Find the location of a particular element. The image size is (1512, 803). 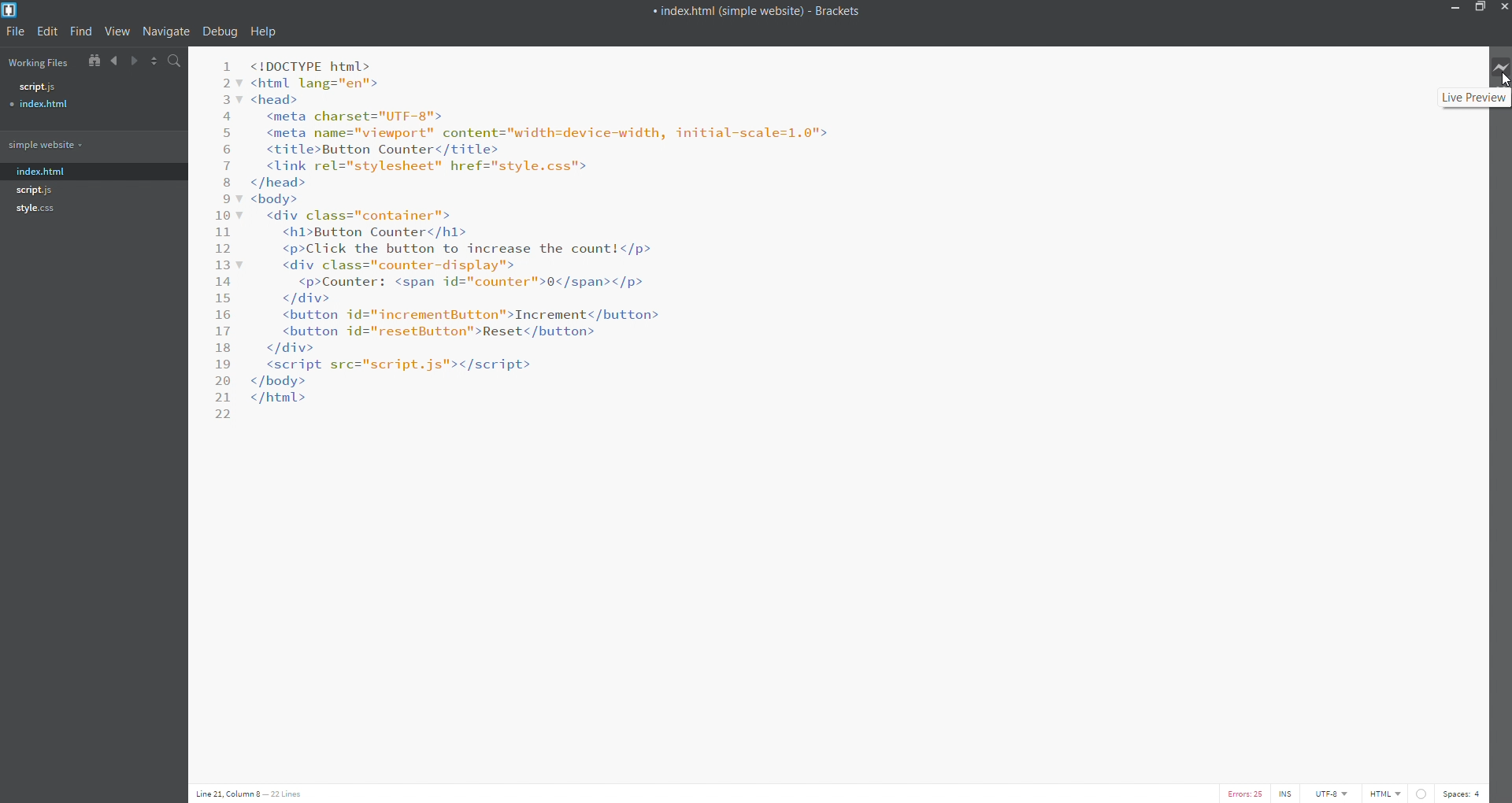

minimize is located at coordinates (1452, 9).